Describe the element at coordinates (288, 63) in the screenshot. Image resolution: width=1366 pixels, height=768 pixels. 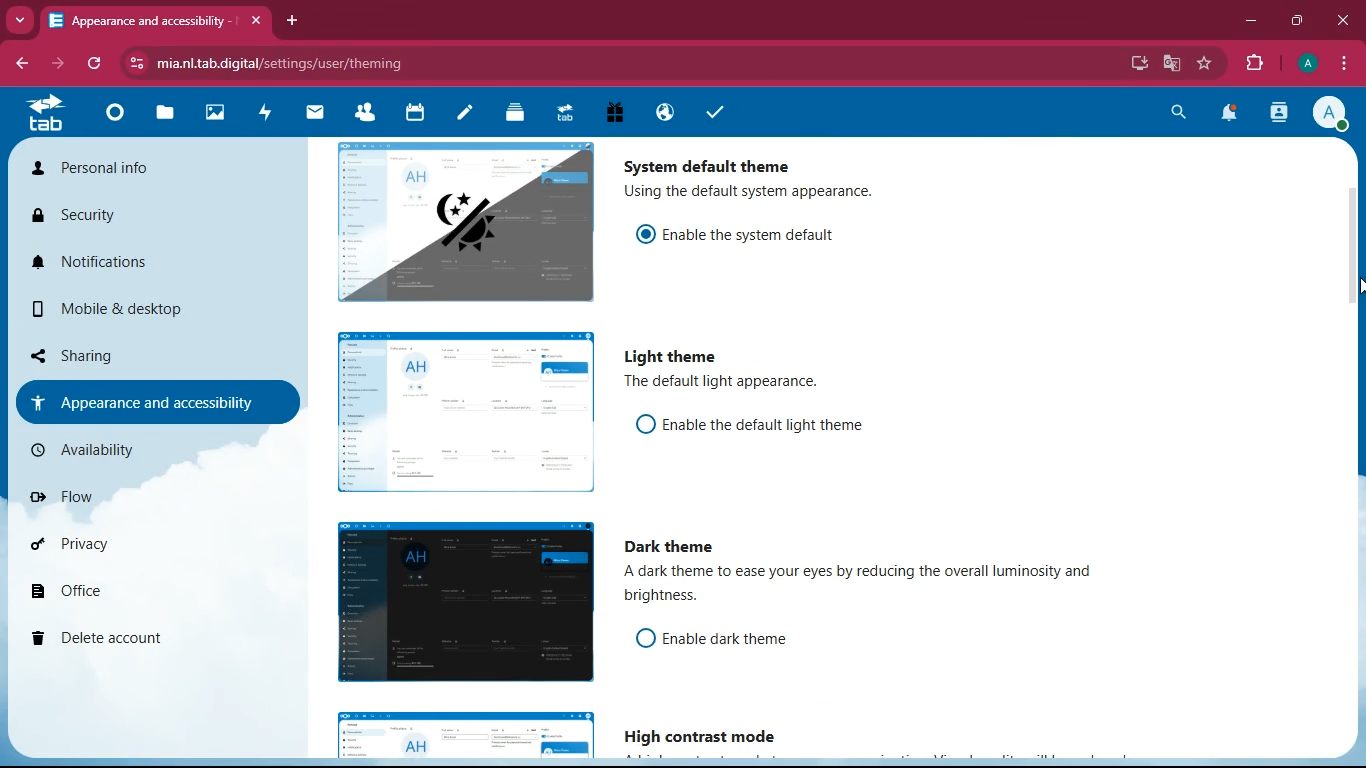
I see `url` at that location.